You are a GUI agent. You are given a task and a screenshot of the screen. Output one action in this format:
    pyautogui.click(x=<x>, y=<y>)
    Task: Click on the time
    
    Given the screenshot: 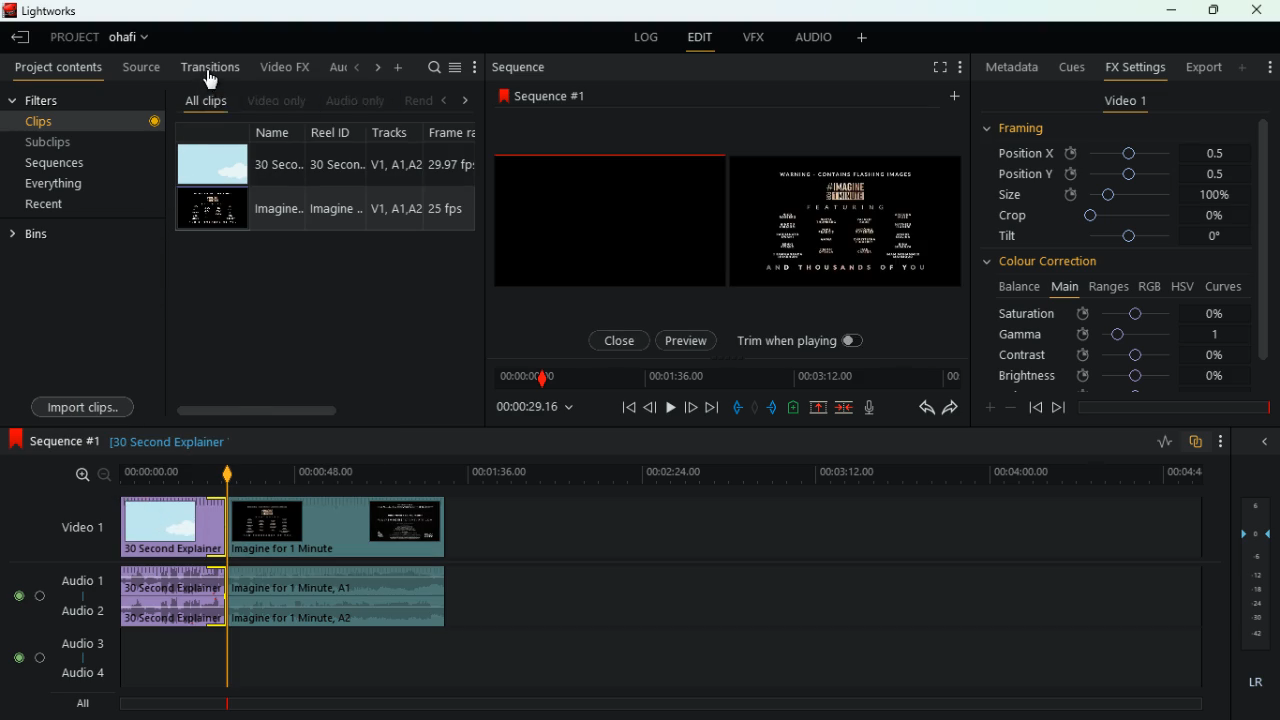 What is the action you would take?
    pyautogui.click(x=535, y=408)
    